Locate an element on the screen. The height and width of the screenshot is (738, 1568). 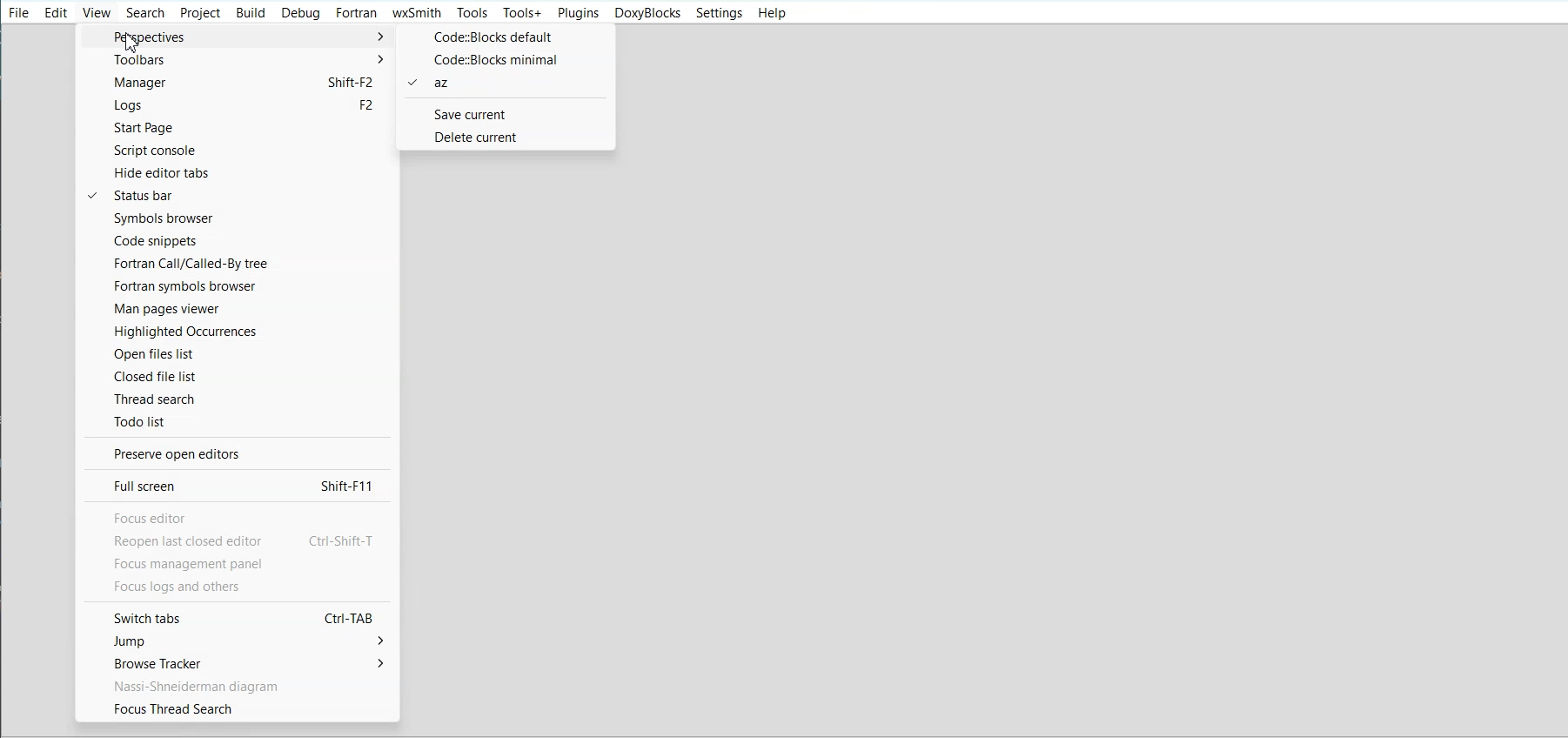
Fortran call is located at coordinates (237, 263).